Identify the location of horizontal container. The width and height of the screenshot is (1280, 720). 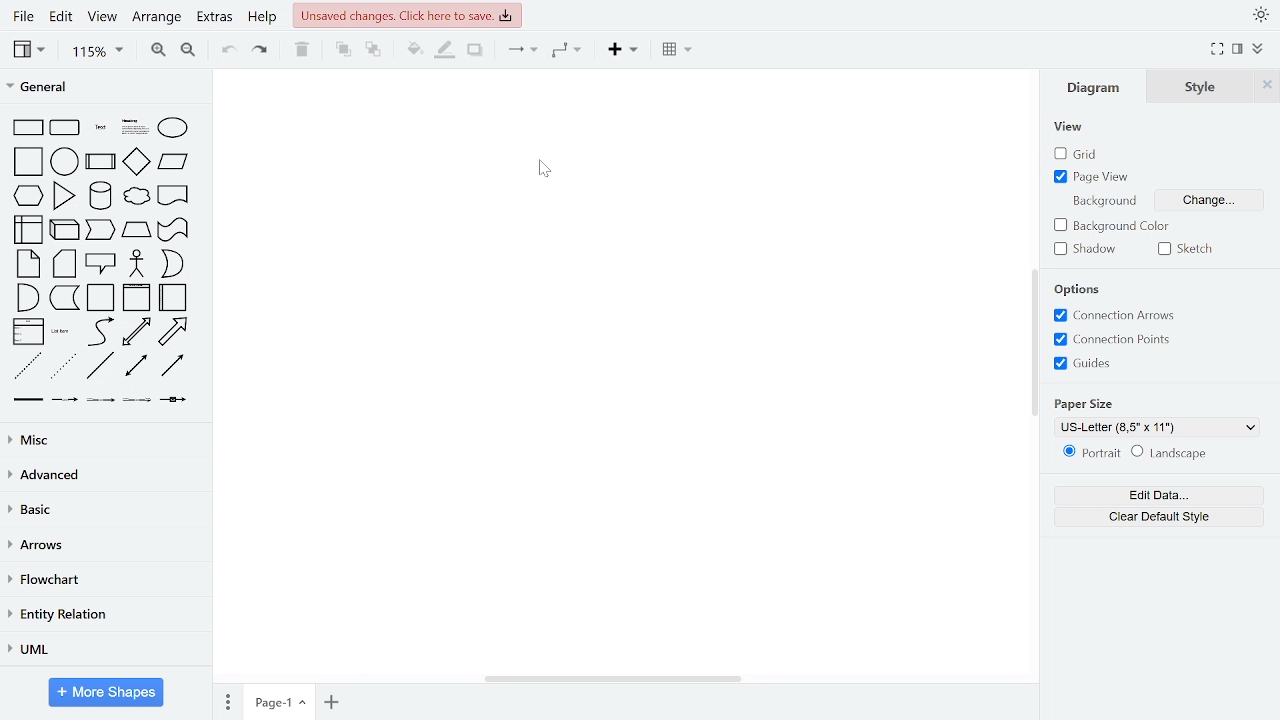
(171, 297).